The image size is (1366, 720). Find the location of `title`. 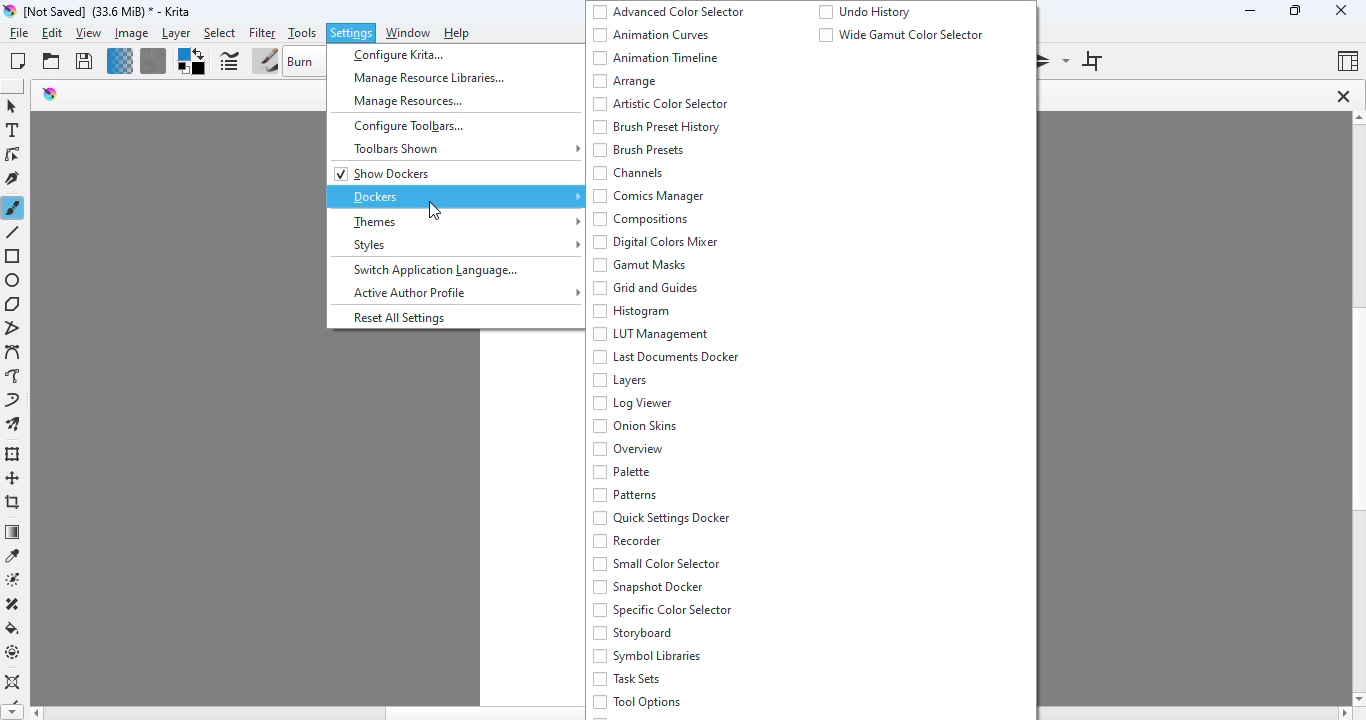

title is located at coordinates (108, 11).